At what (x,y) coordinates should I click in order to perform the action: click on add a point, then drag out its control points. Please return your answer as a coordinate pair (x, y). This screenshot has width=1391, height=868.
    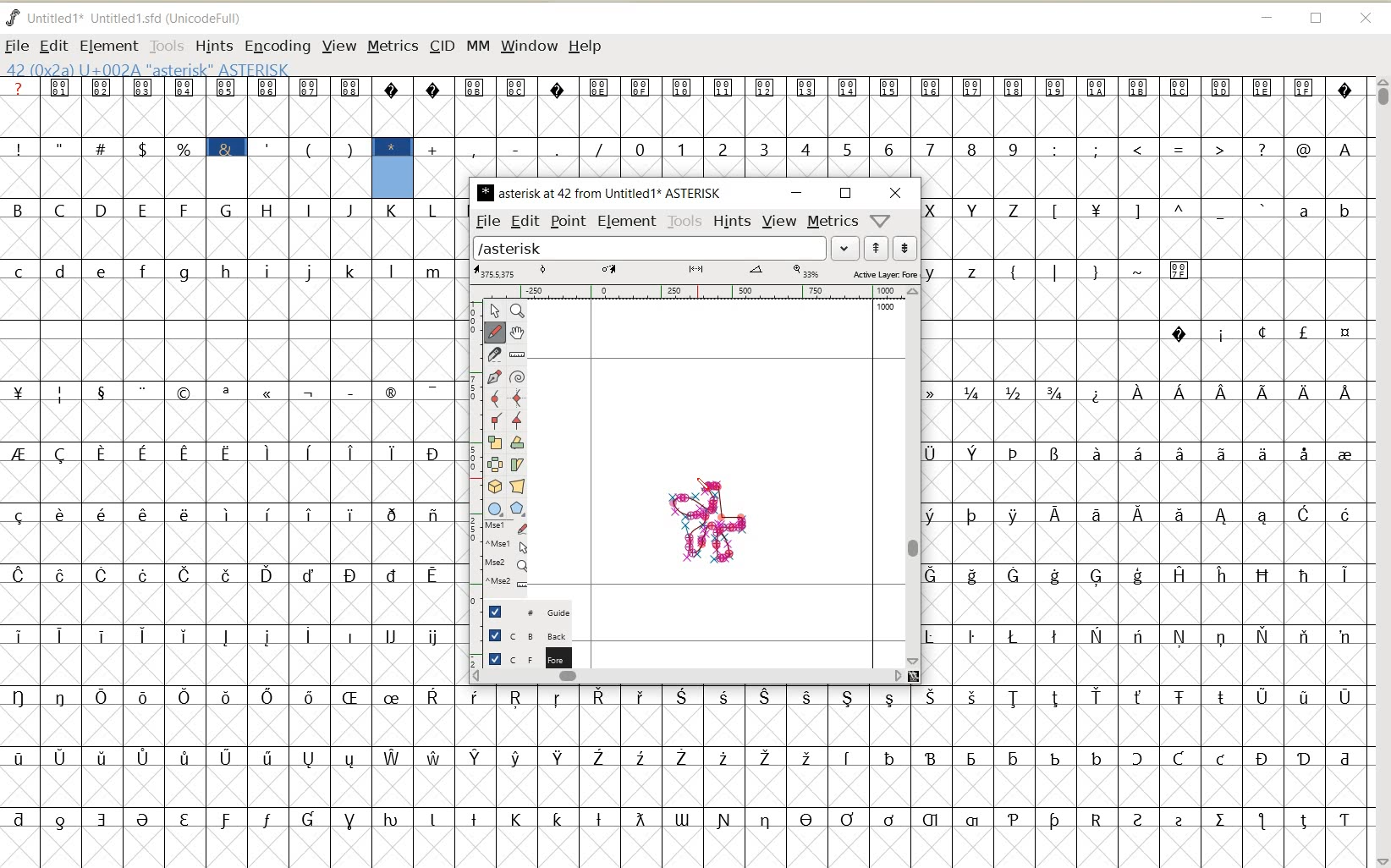
    Looking at the image, I should click on (492, 376).